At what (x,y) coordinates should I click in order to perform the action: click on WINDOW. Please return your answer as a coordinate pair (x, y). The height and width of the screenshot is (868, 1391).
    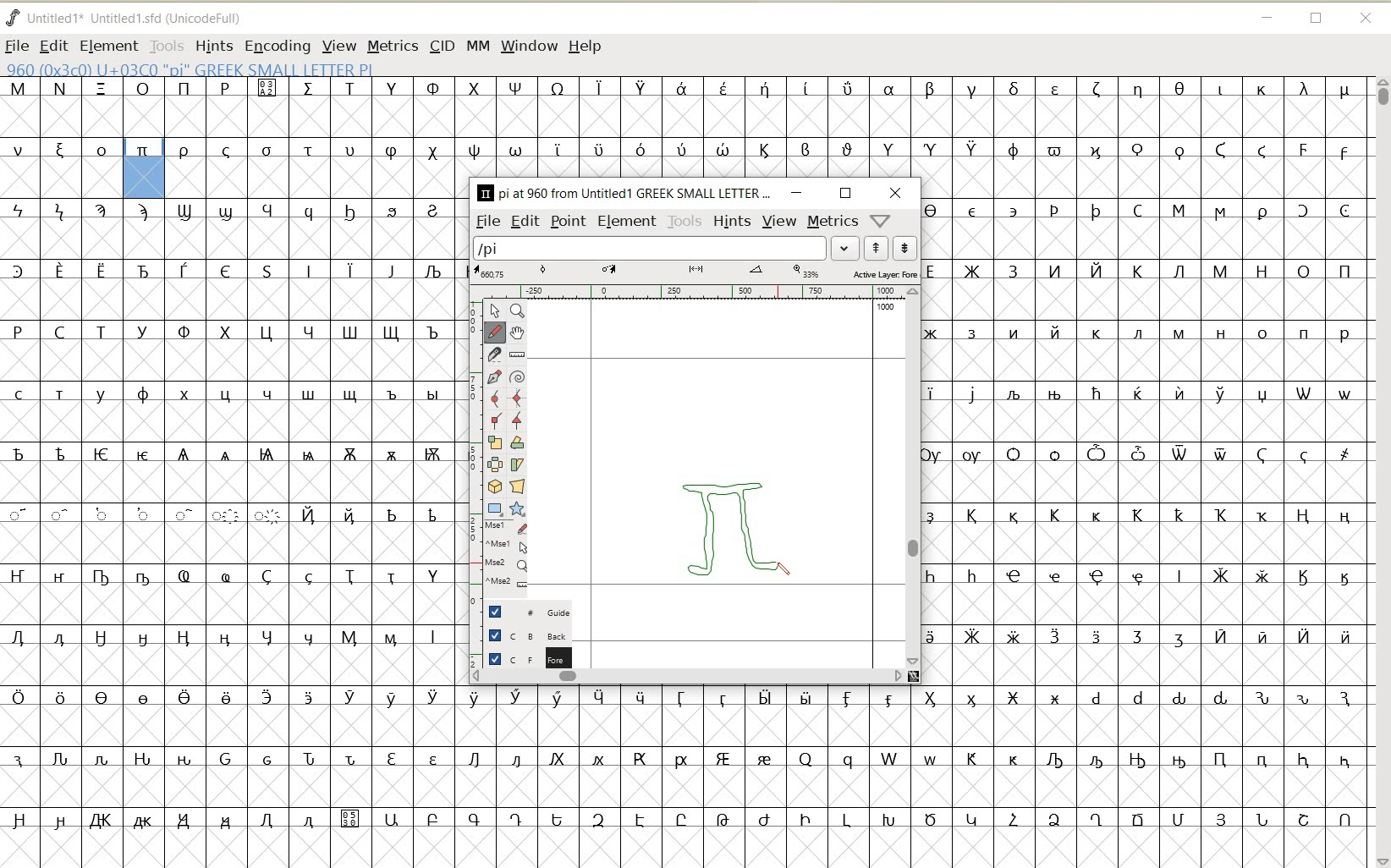
    Looking at the image, I should click on (529, 45).